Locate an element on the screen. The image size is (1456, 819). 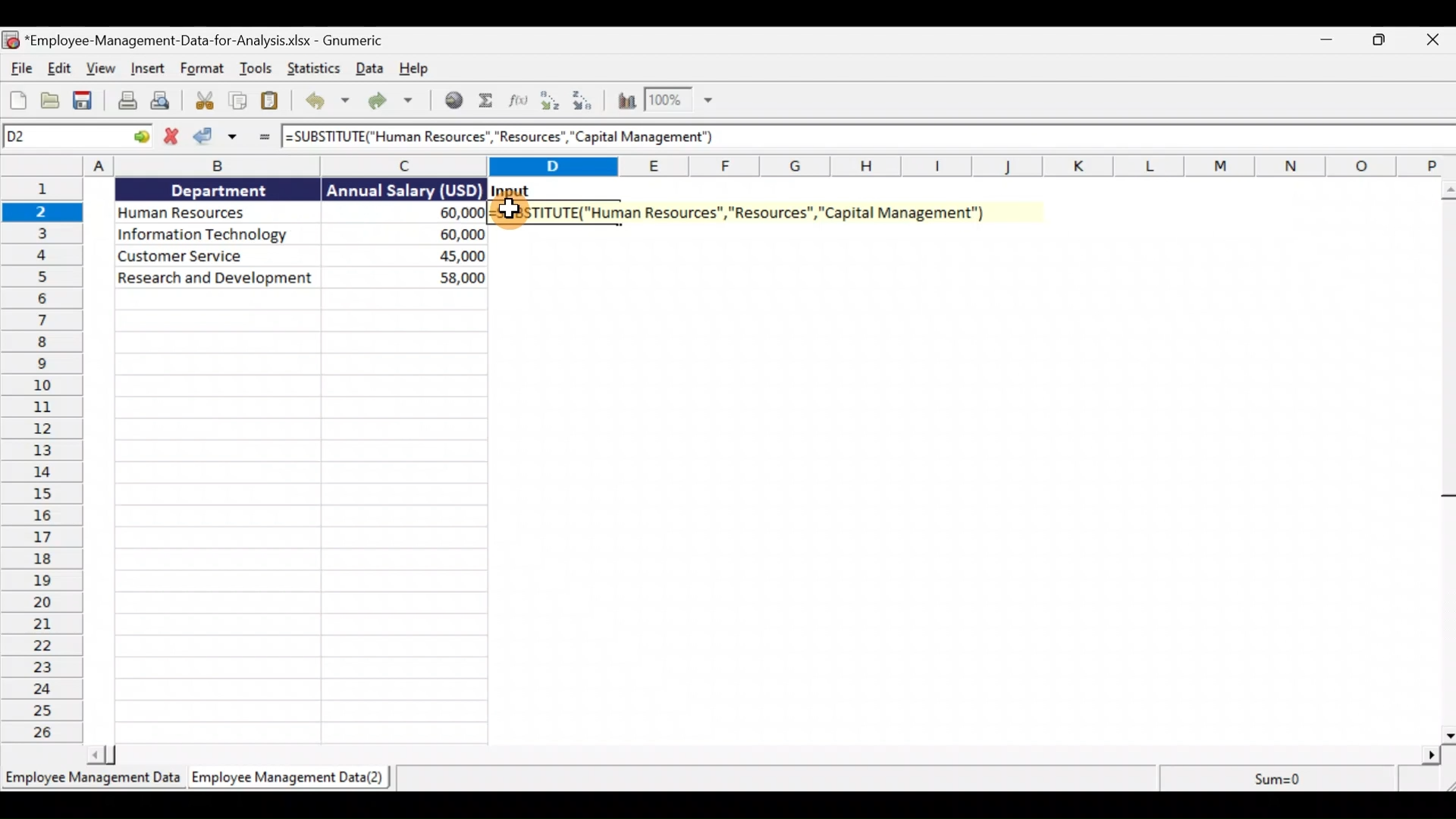
Data is located at coordinates (370, 72).